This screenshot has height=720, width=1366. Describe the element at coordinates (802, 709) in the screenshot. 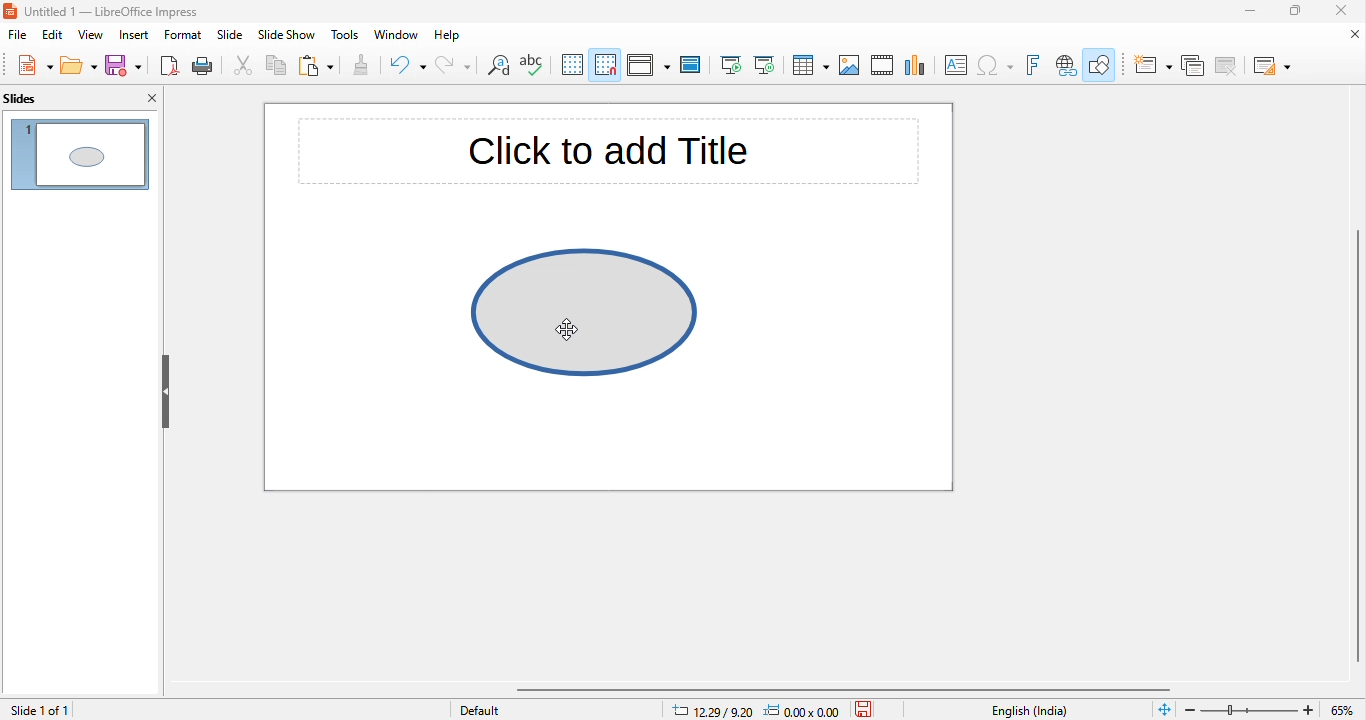

I see `0.00 x 0.00` at that location.